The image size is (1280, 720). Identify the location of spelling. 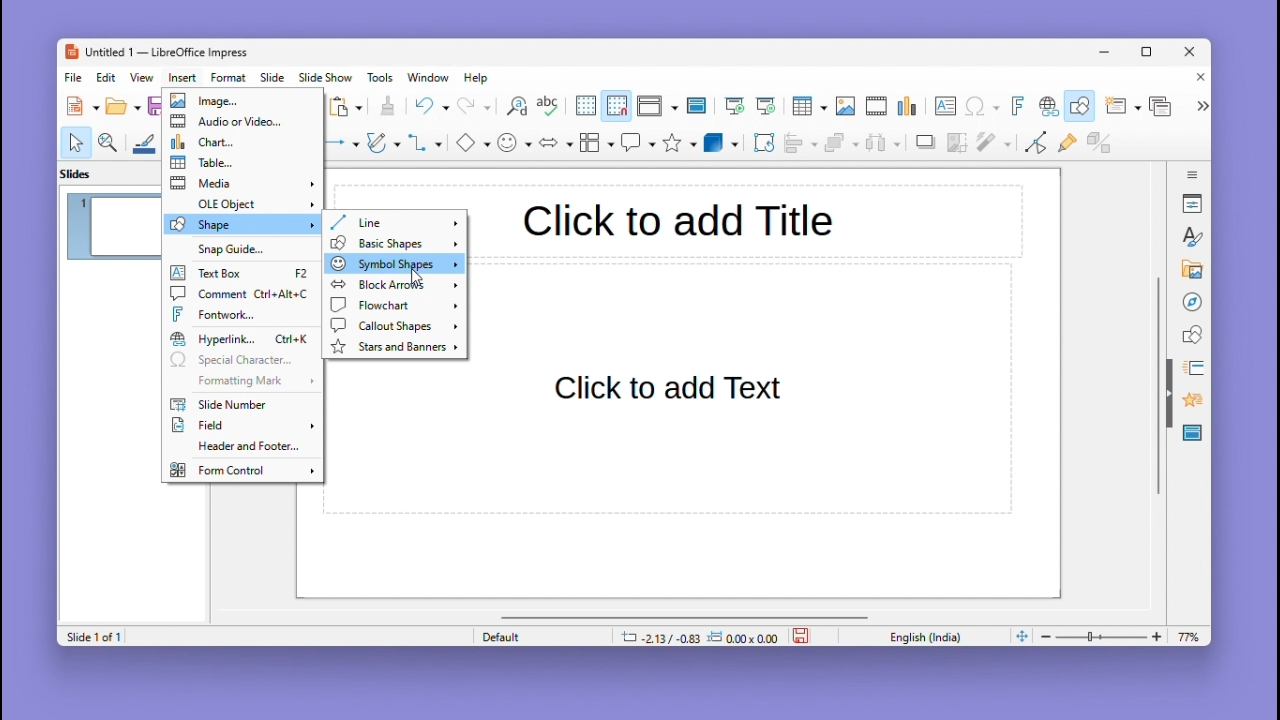
(548, 107).